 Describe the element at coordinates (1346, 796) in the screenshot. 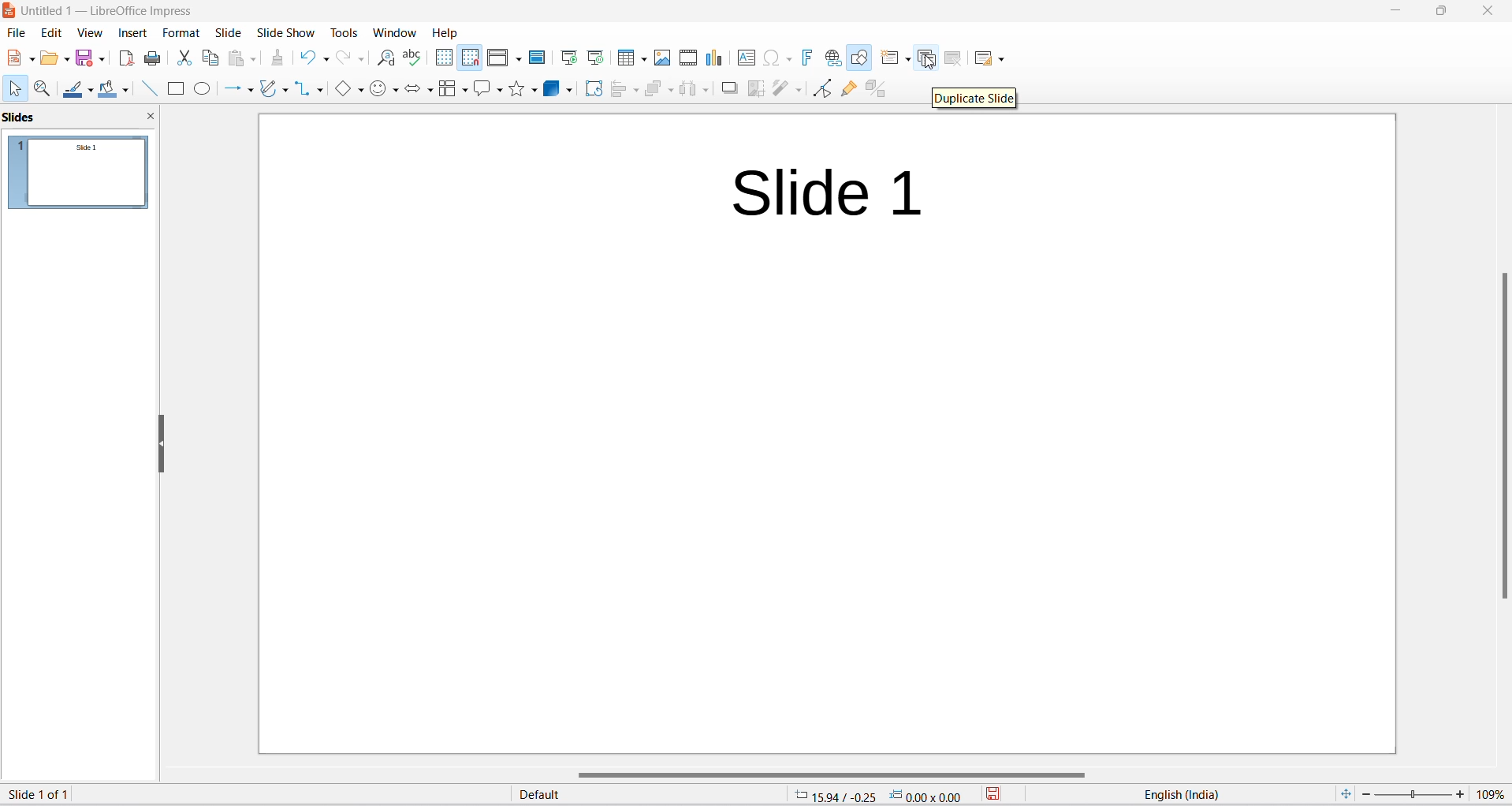

I see `fit slide to current window` at that location.